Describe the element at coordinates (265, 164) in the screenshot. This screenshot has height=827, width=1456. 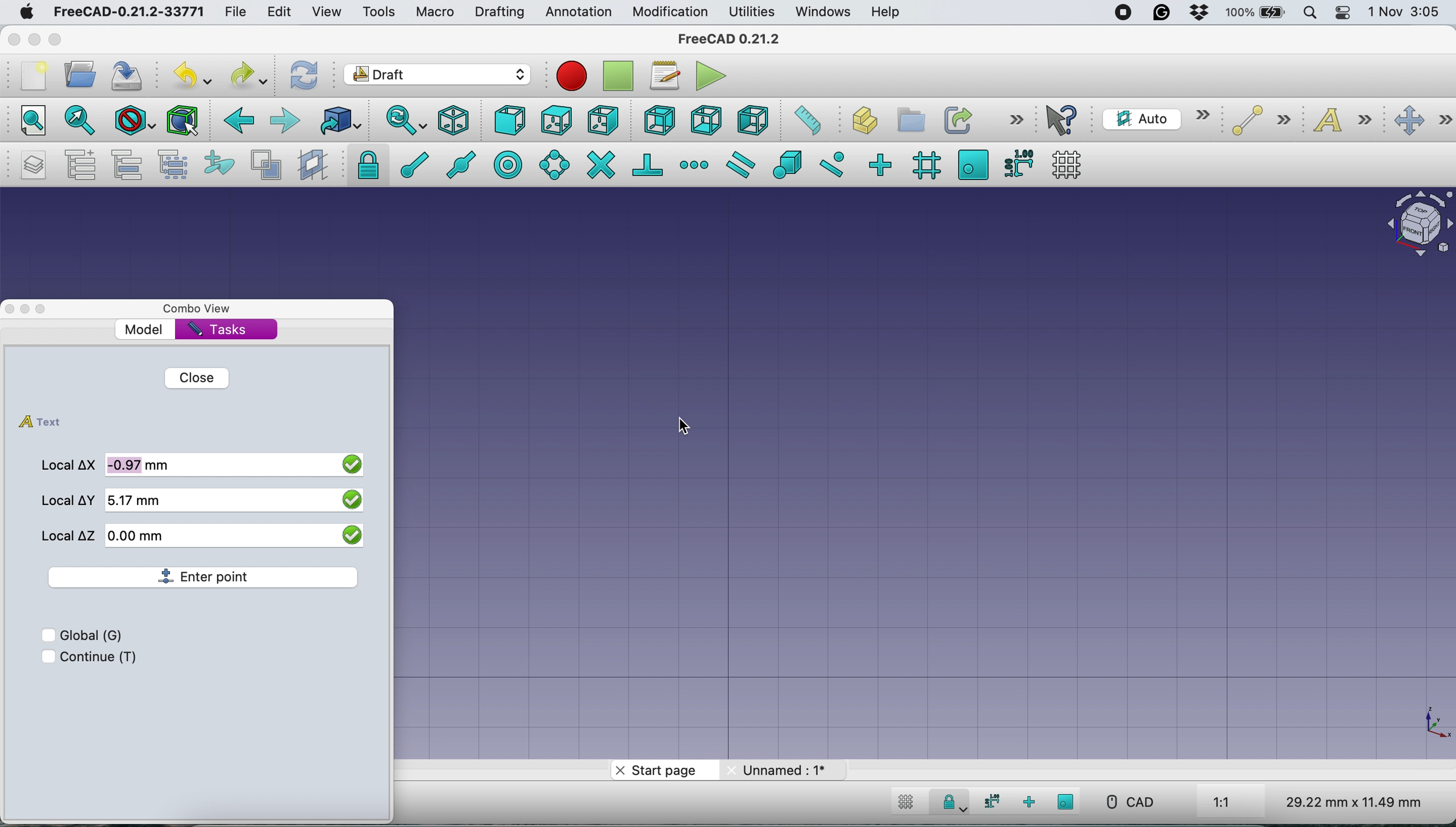
I see `toggle normal wireframe display` at that location.